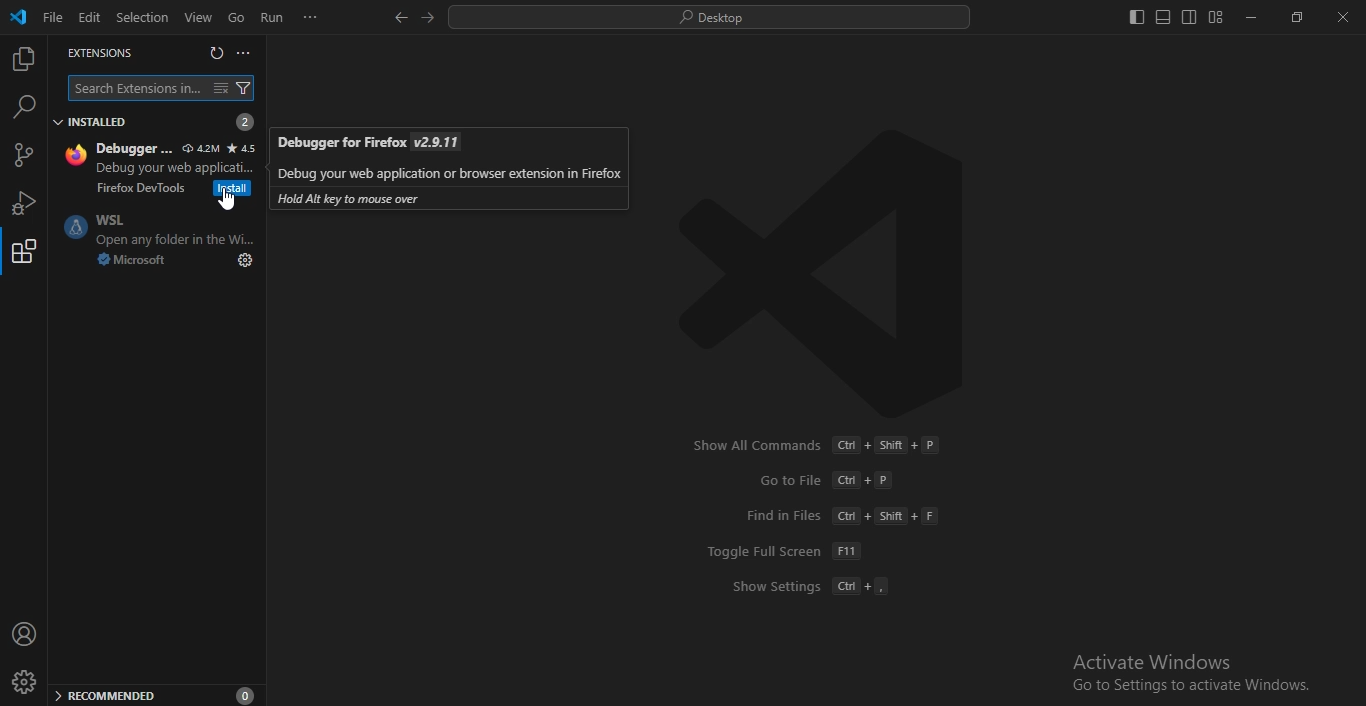 This screenshot has height=706, width=1366. Describe the element at coordinates (246, 88) in the screenshot. I see `filter extensions` at that location.